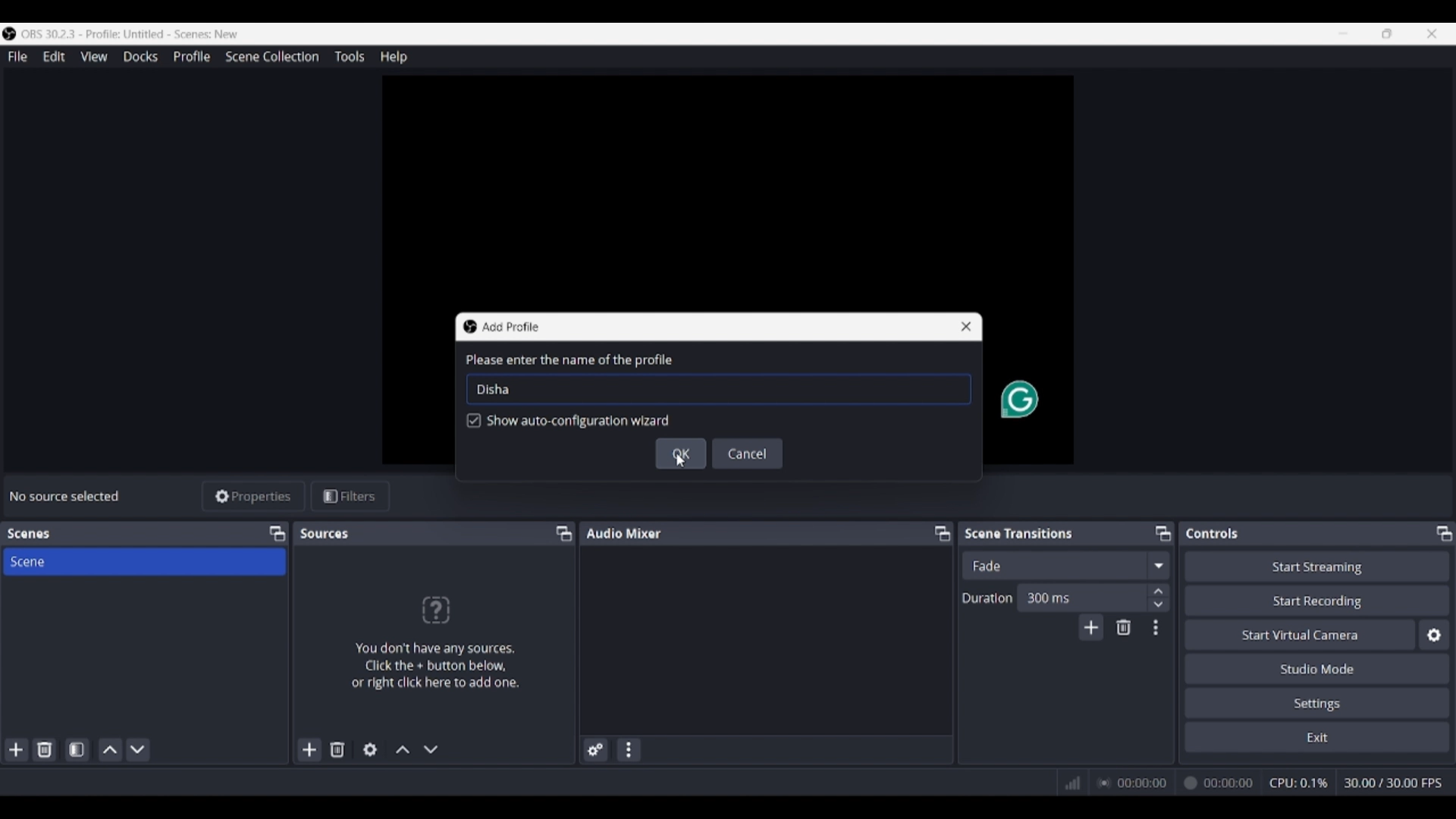 Image resolution: width=1456 pixels, height=819 pixels. Describe the element at coordinates (681, 453) in the screenshot. I see `Save` at that location.